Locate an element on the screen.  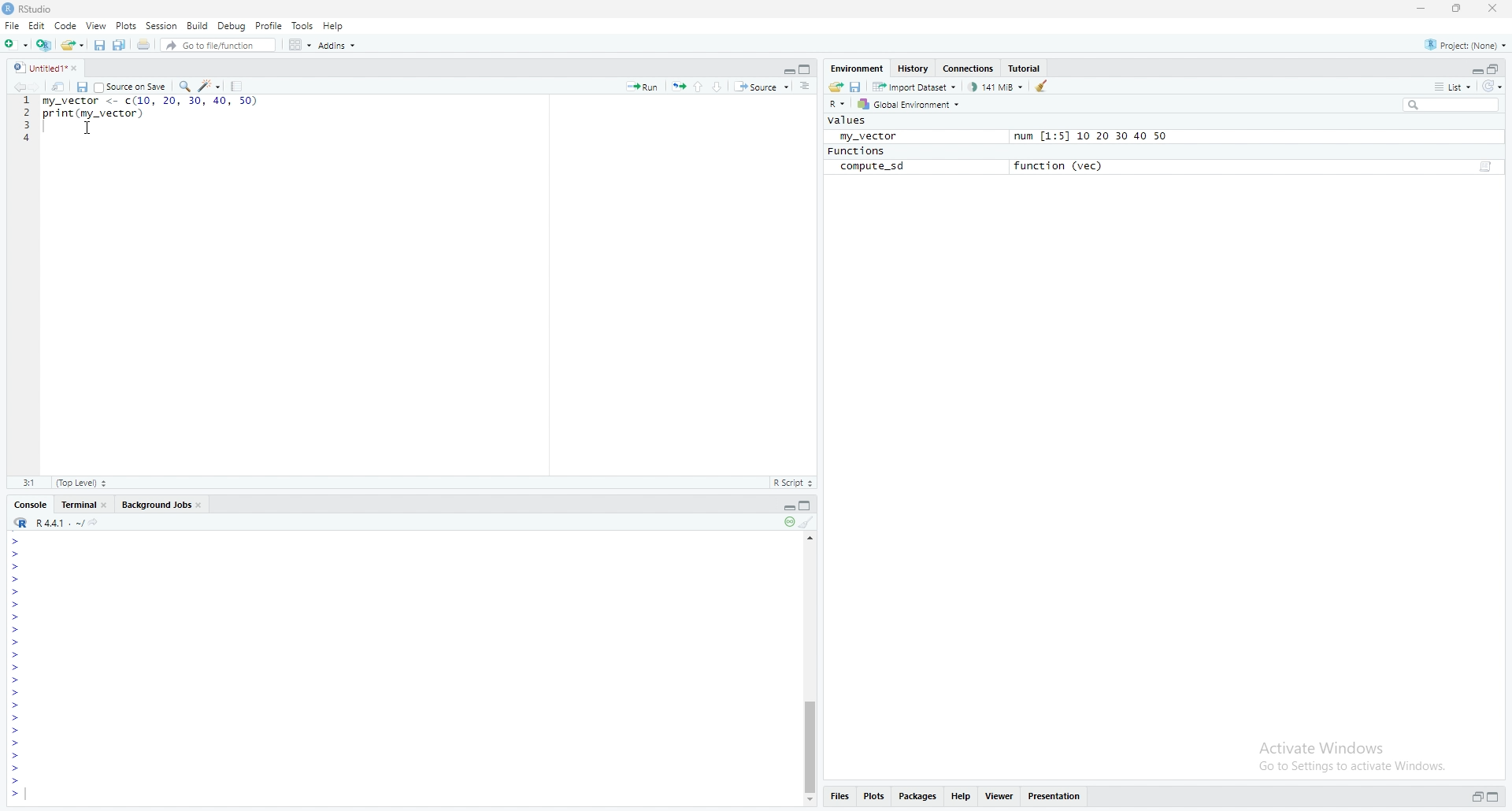
1 2 3 4 is located at coordinates (27, 120).